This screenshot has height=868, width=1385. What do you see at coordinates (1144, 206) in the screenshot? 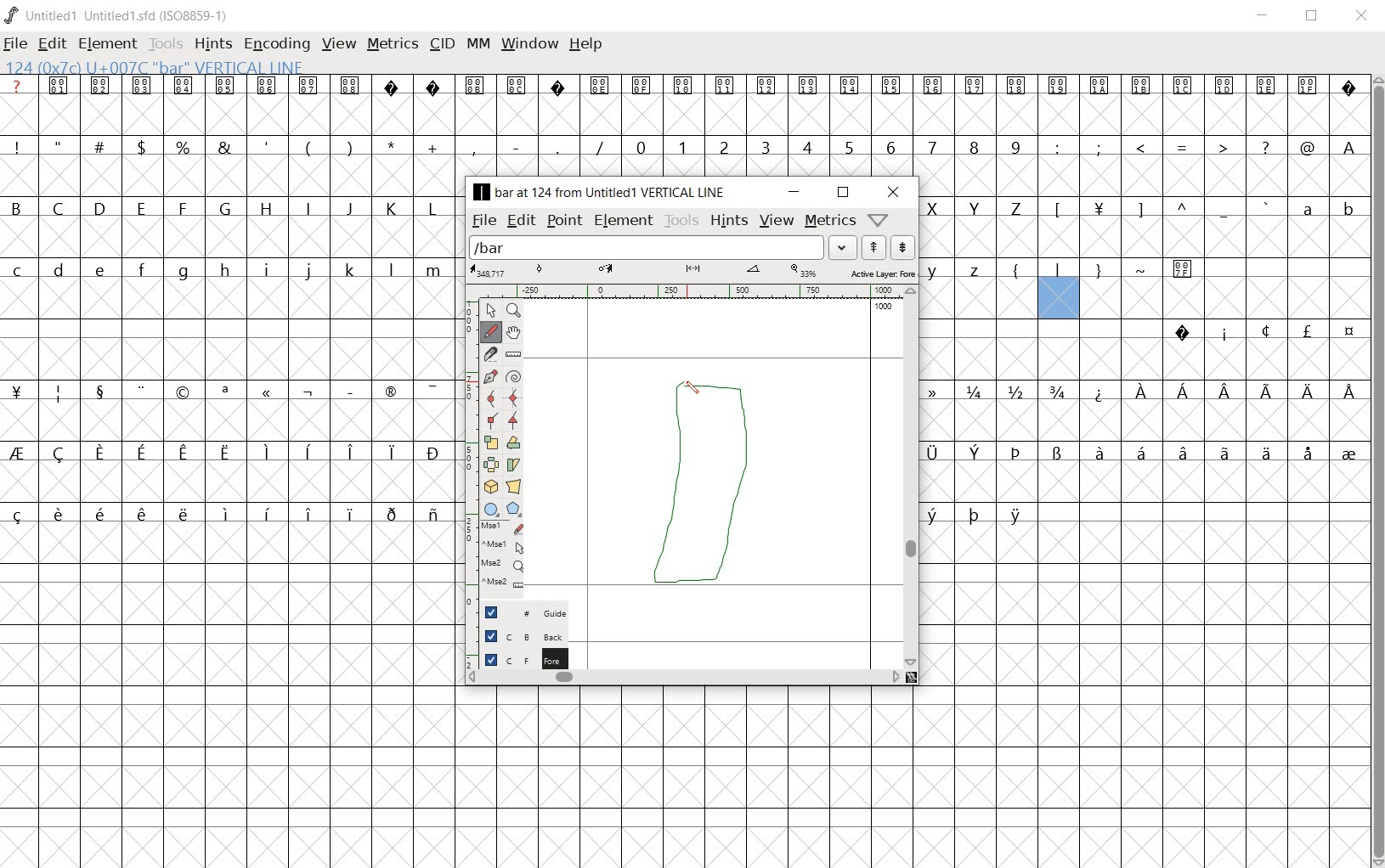
I see `letters and symbols` at bounding box center [1144, 206].